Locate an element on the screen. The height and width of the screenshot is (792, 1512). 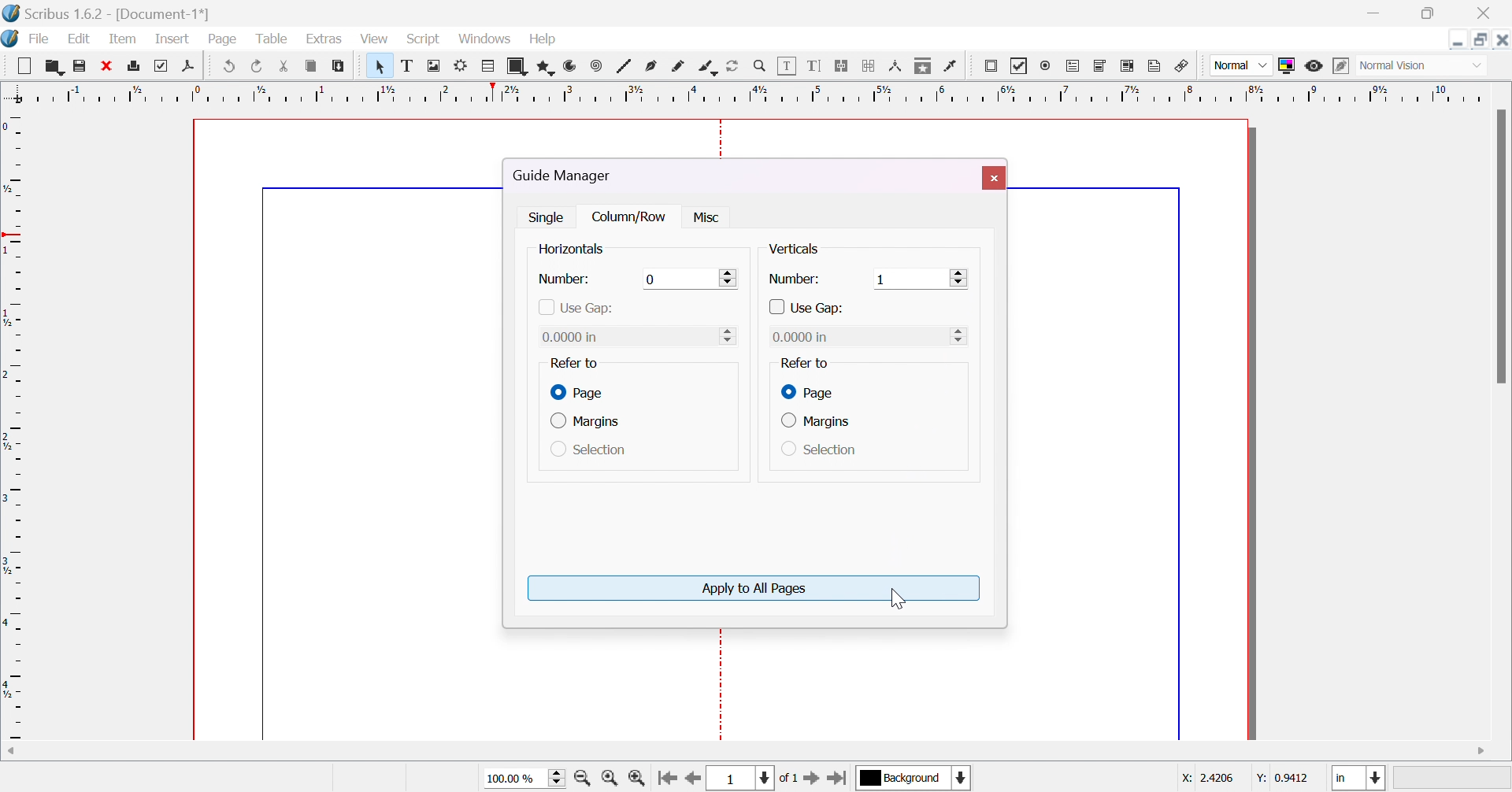
undo is located at coordinates (232, 64).